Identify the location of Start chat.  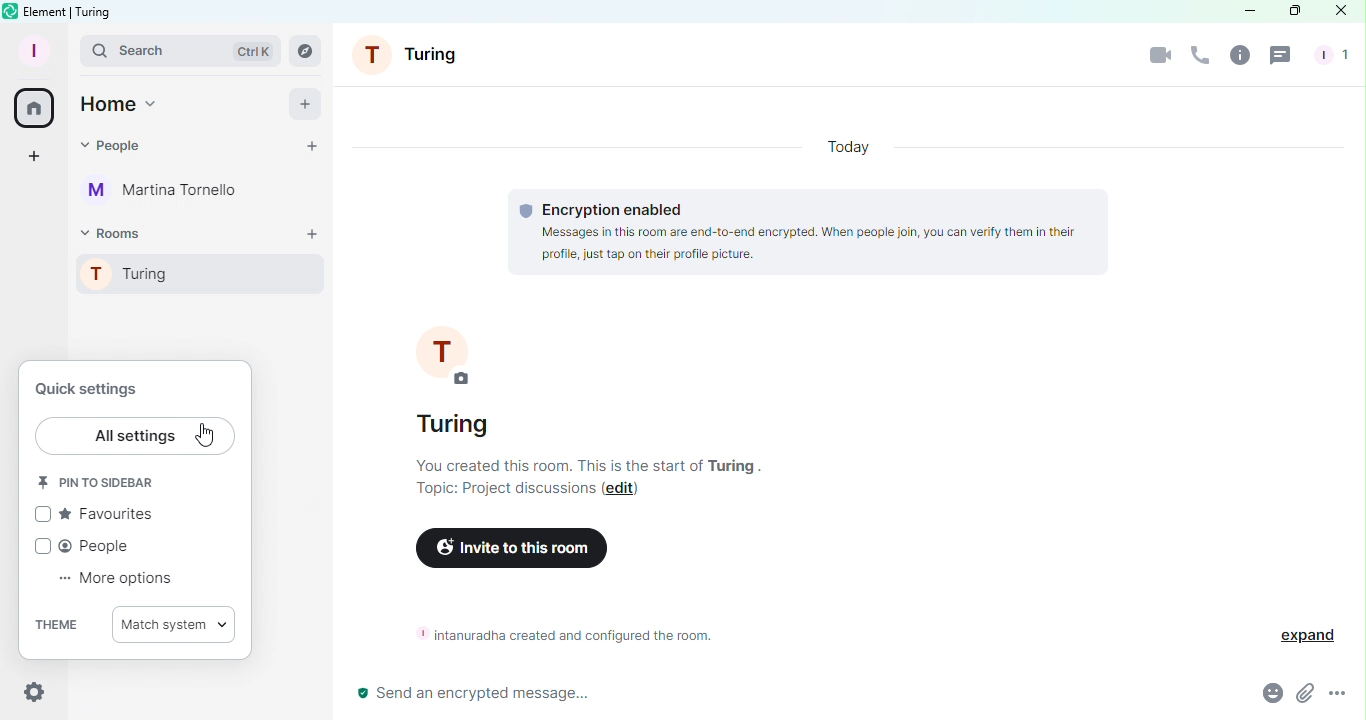
(313, 149).